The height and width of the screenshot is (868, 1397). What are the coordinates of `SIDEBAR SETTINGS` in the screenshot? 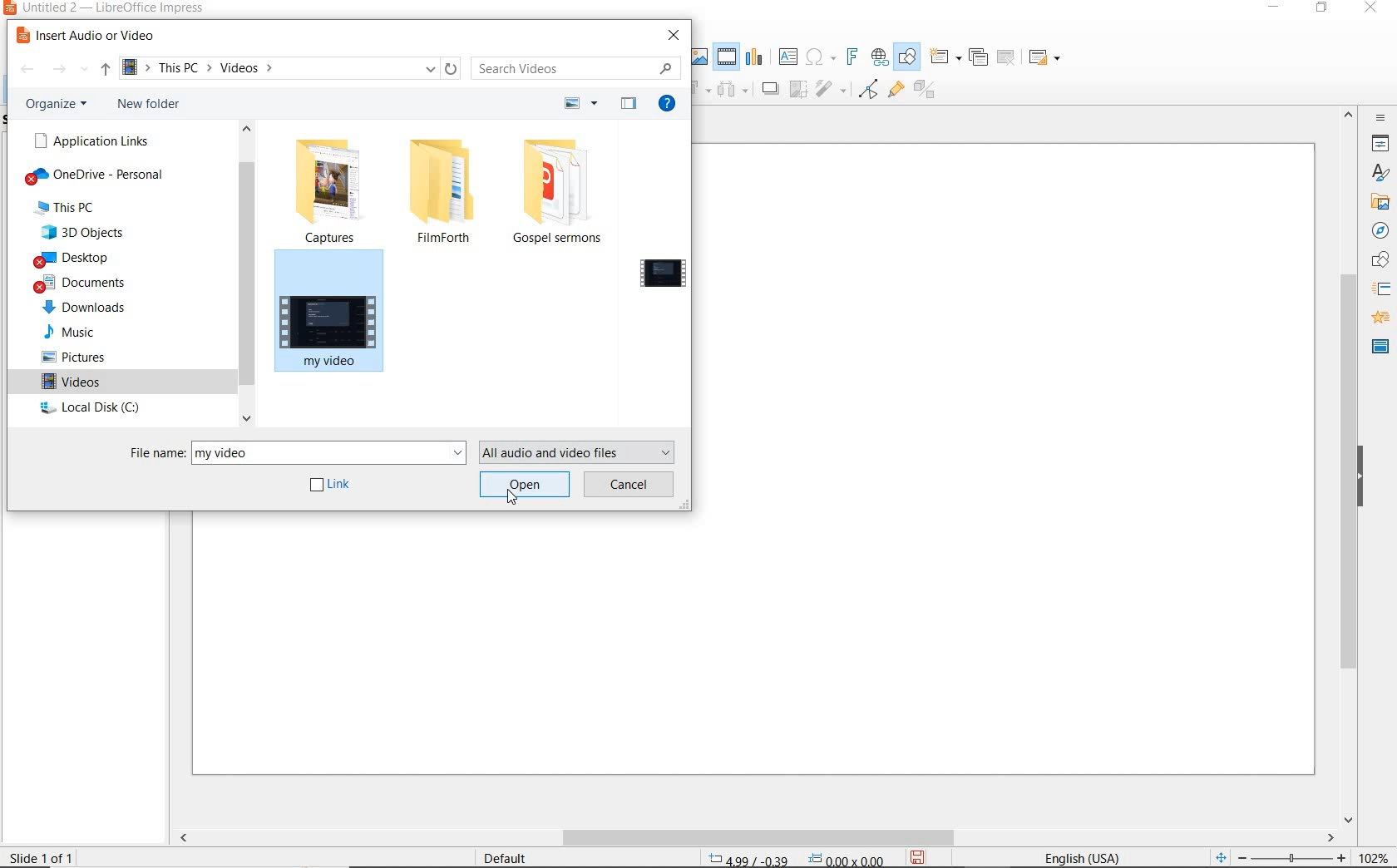 It's located at (1380, 118).